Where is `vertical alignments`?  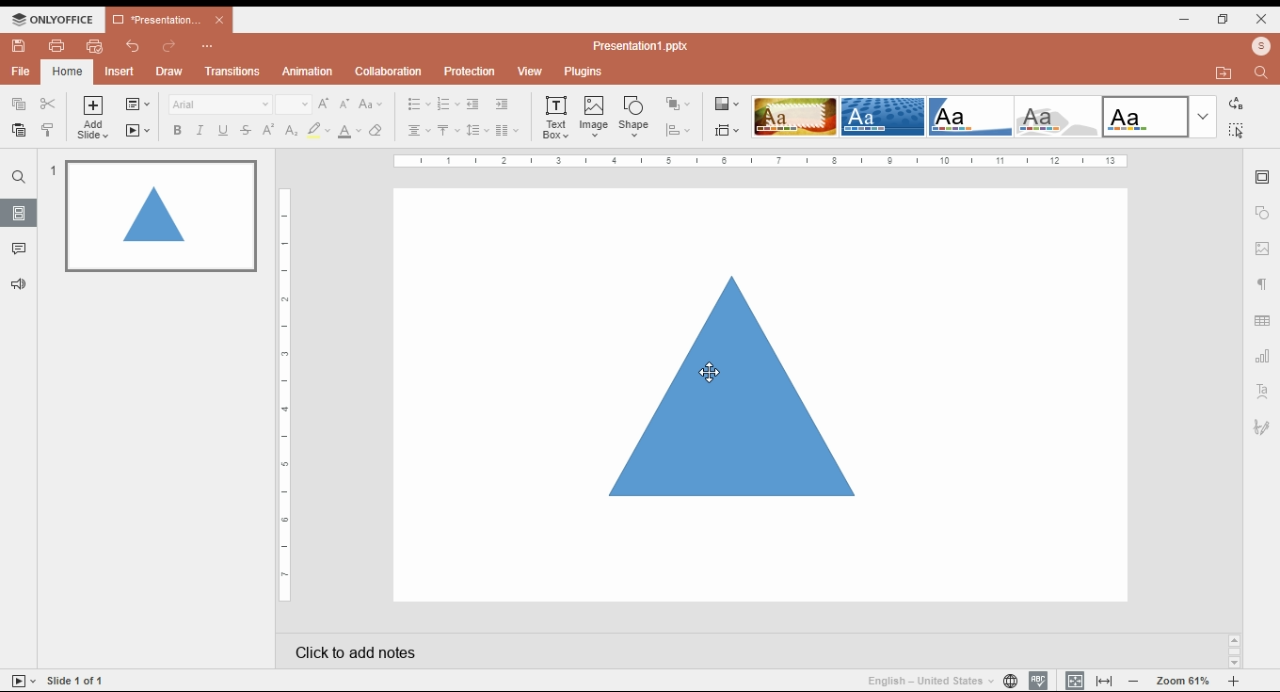
vertical alignments is located at coordinates (448, 129).